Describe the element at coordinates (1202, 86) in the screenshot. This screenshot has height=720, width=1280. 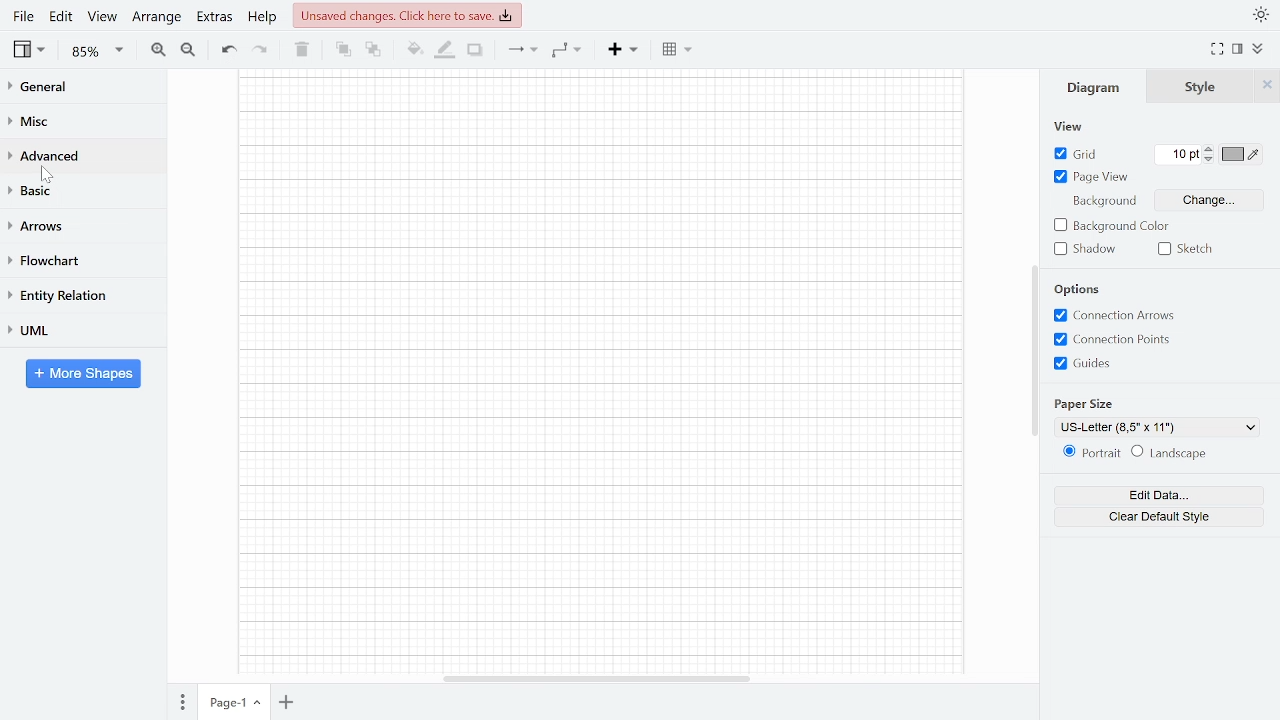
I see `Style` at that location.